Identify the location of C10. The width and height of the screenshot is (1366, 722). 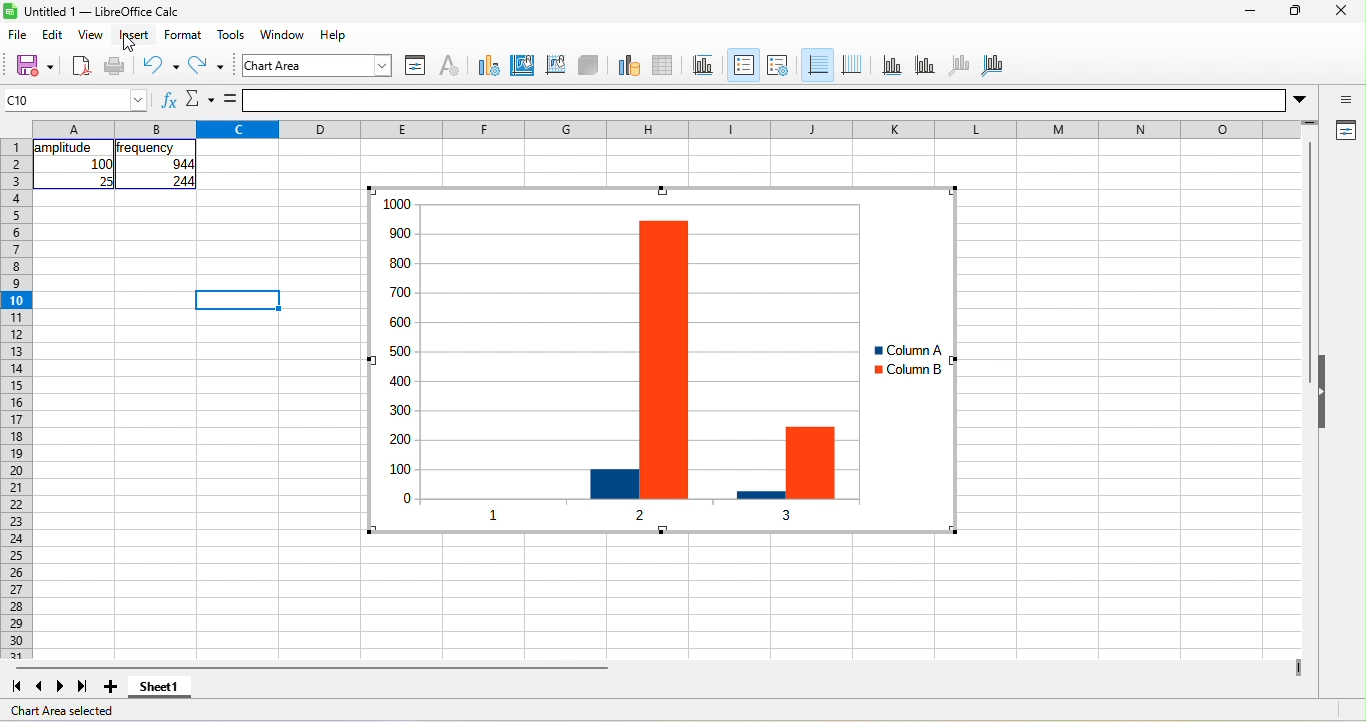
(76, 100).